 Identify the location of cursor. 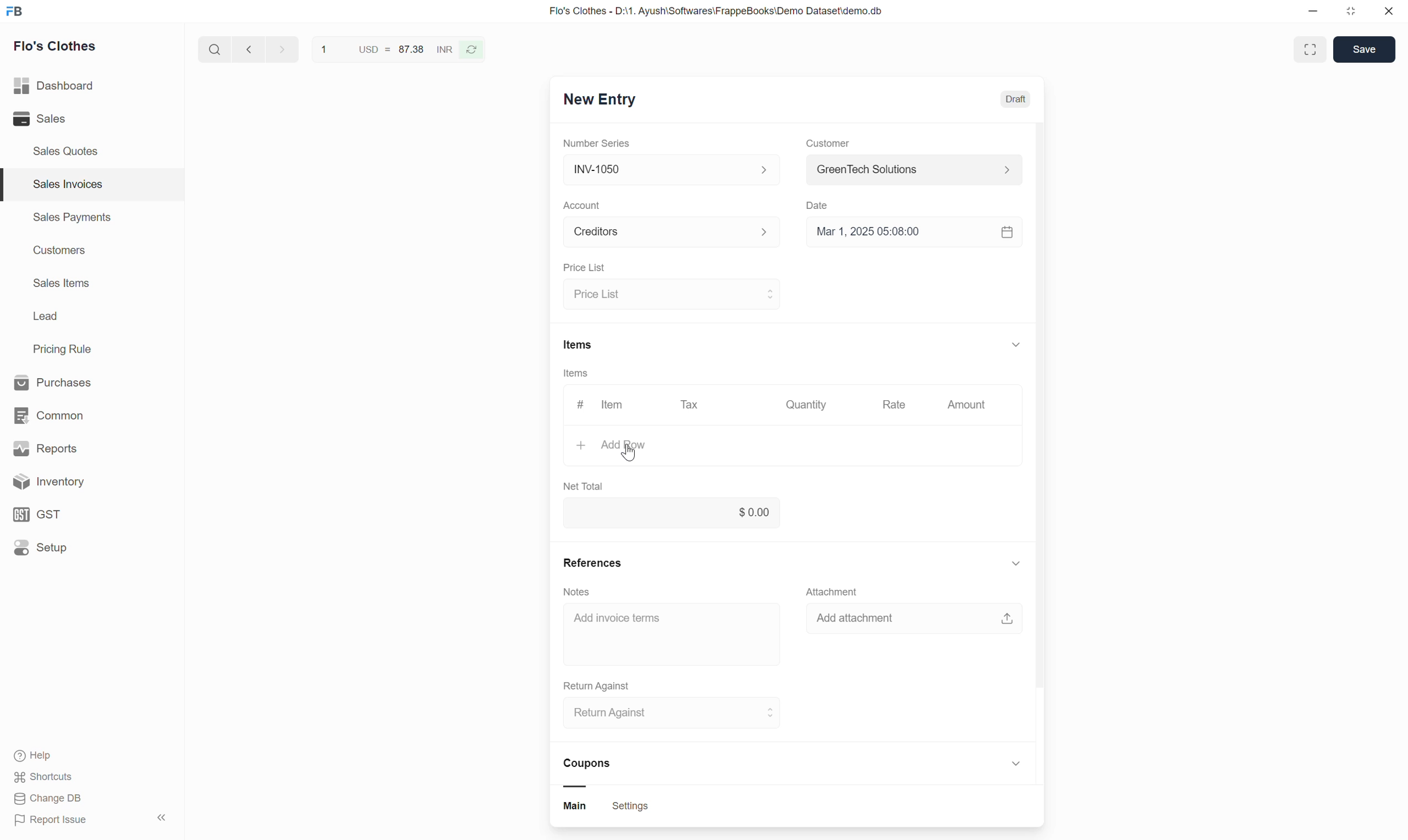
(629, 453).